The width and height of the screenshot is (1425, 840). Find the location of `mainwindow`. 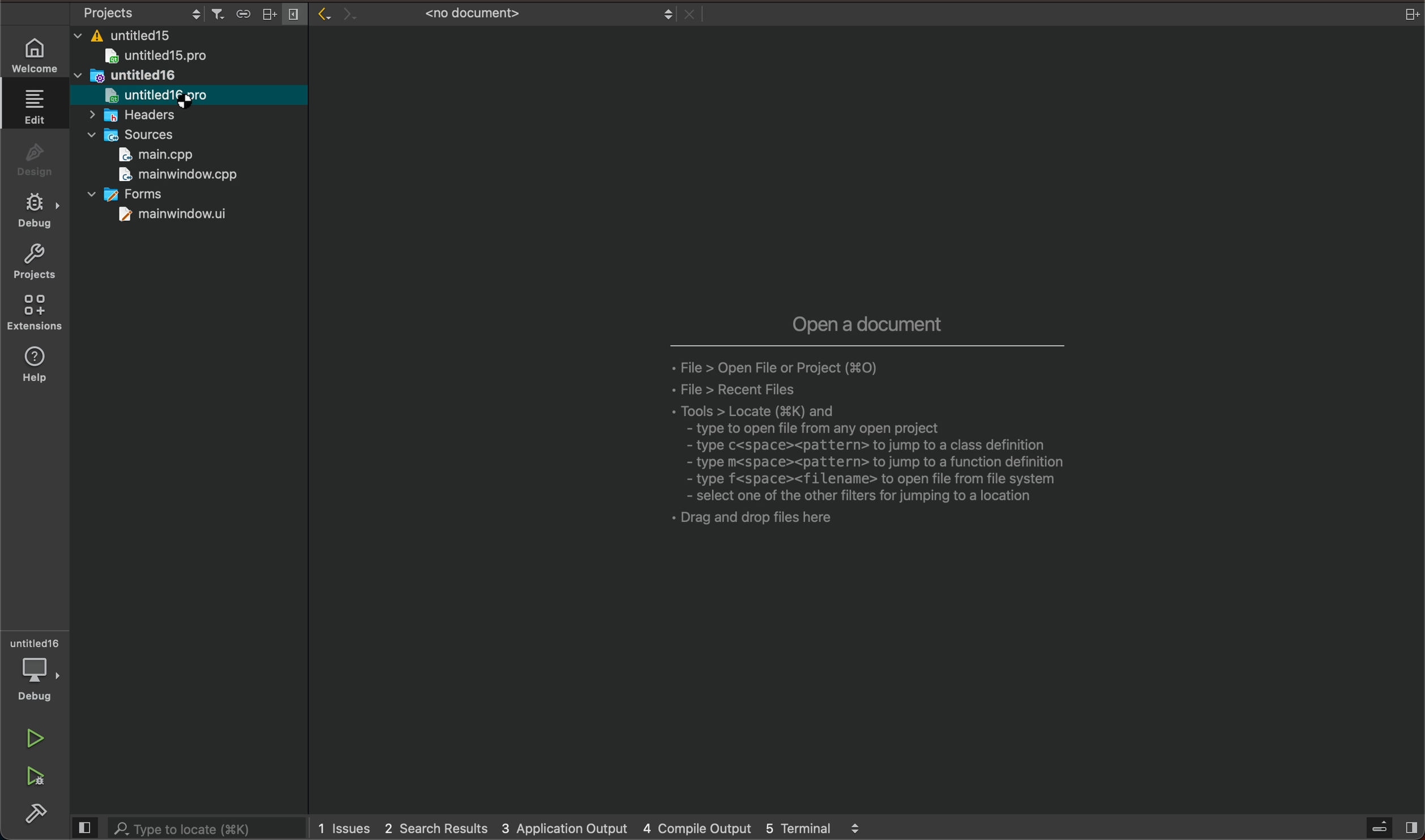

mainwindow is located at coordinates (169, 217).